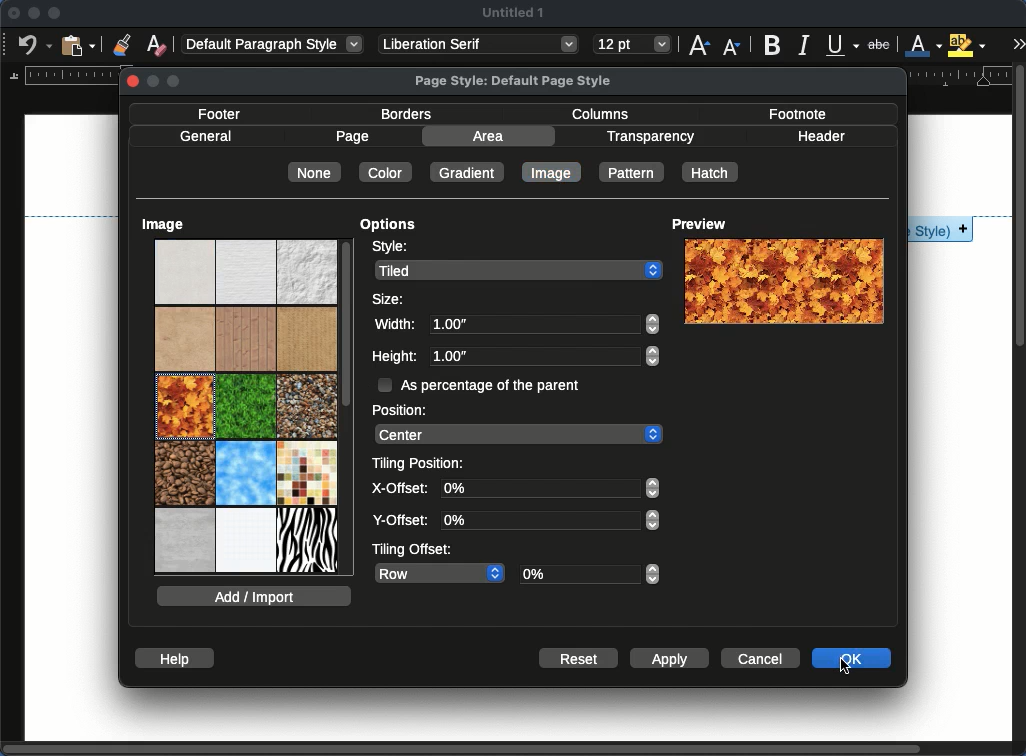 The width and height of the screenshot is (1026, 756). Describe the element at coordinates (480, 386) in the screenshot. I see `as percentage of the parent` at that location.